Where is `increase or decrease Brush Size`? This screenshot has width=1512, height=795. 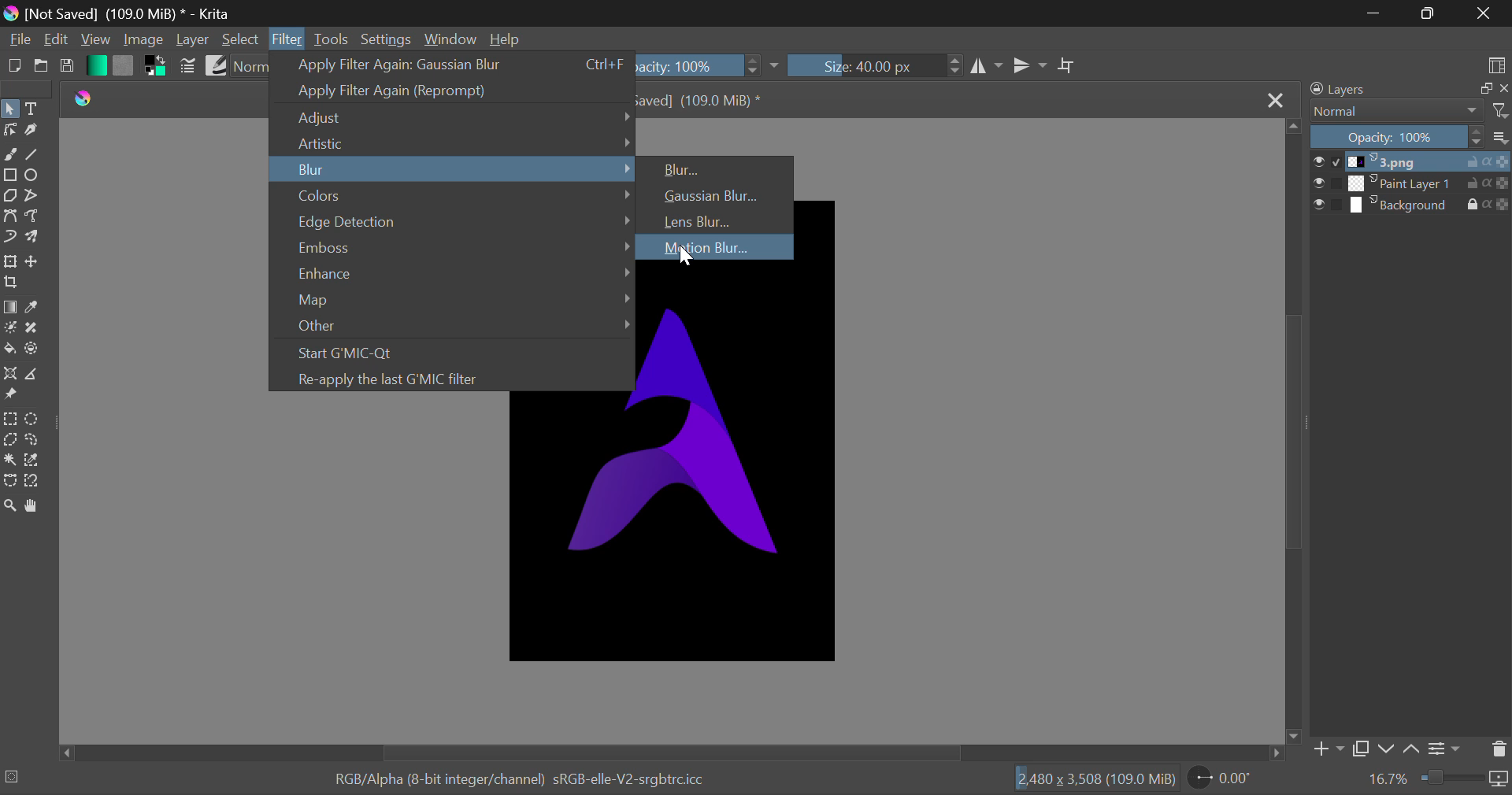 increase or decrease Brush Size is located at coordinates (955, 68).